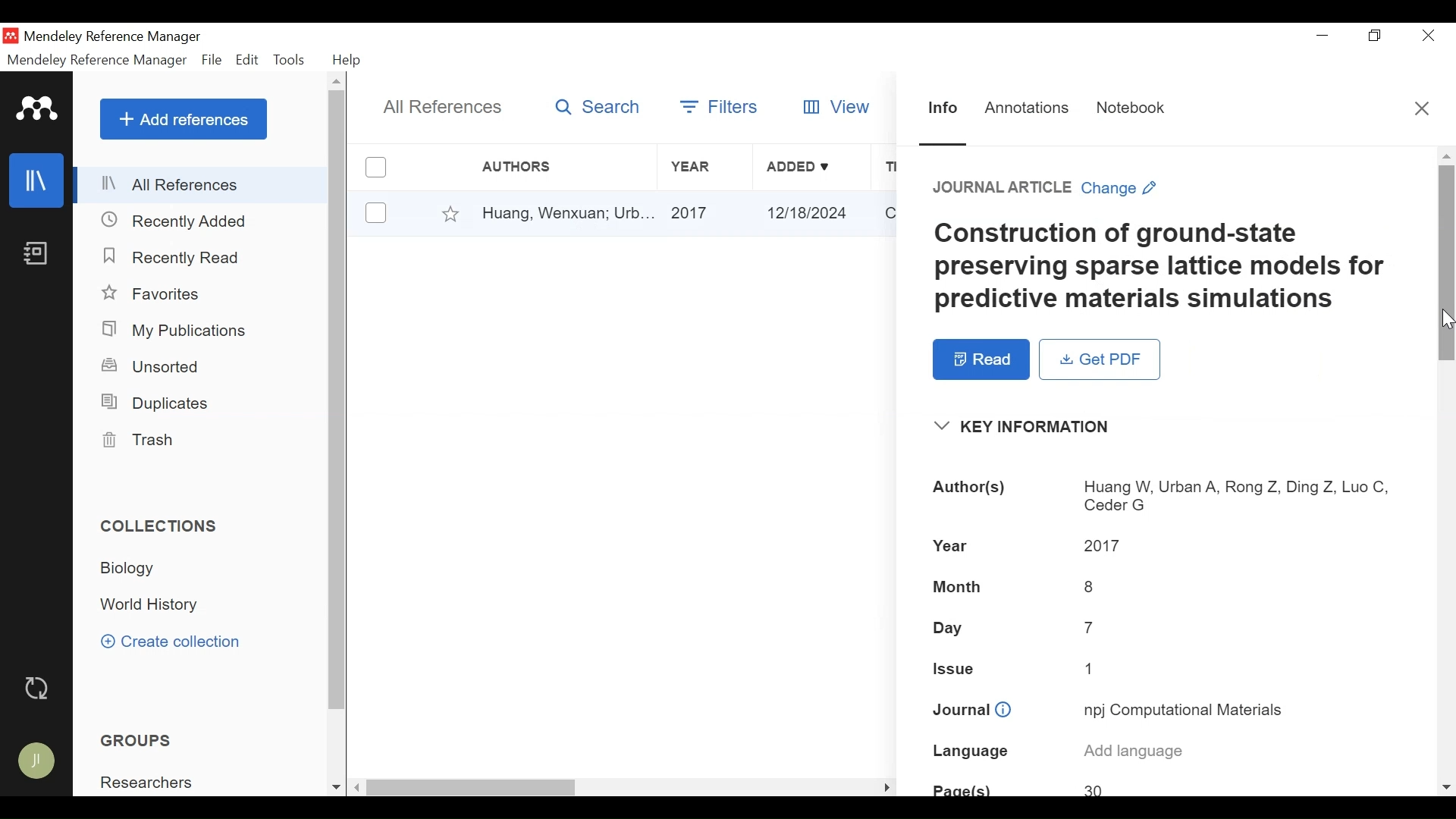  I want to click on All References, so click(444, 108).